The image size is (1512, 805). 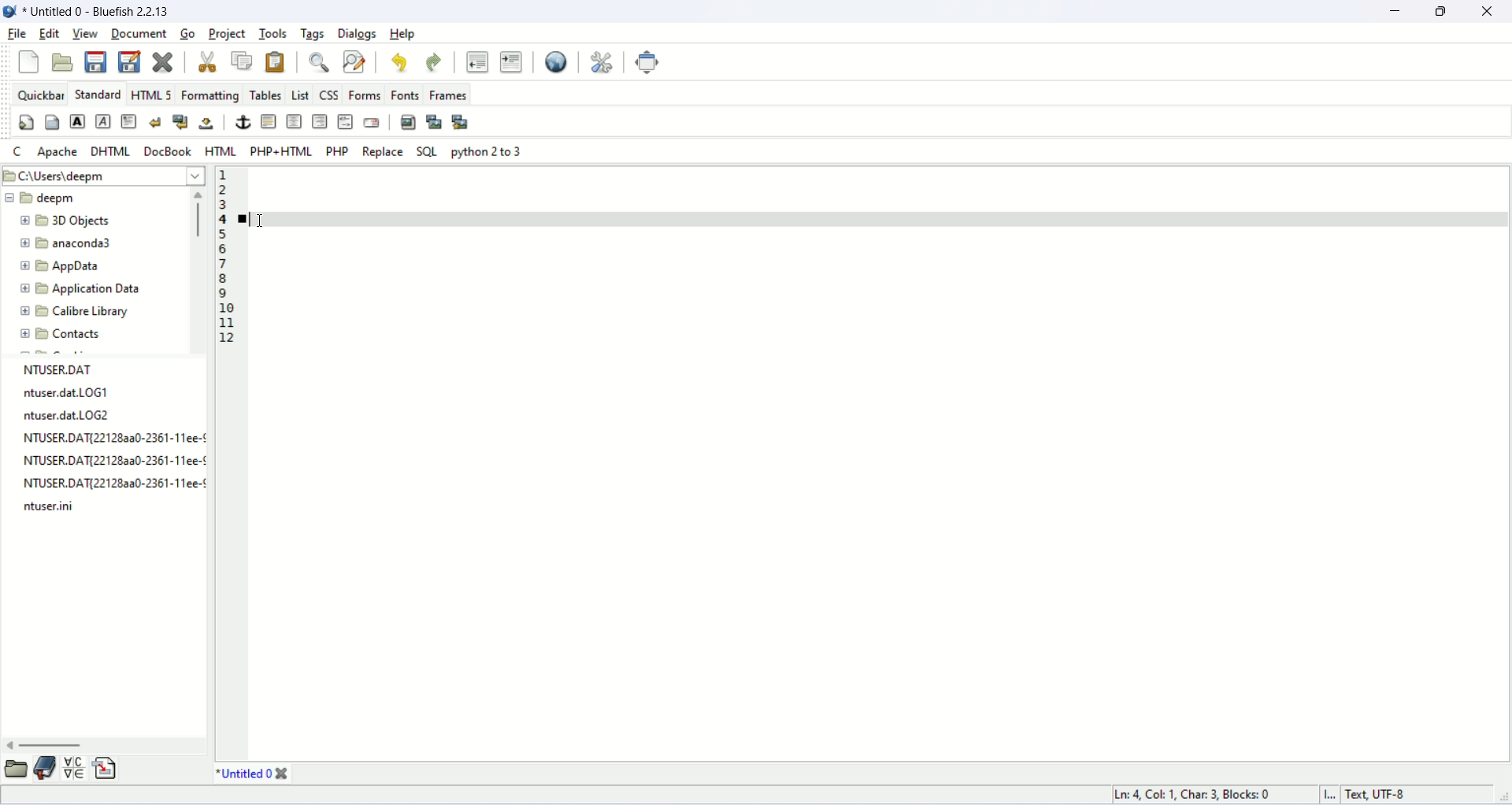 I want to click on NTUSER.DAT, so click(x=68, y=369).